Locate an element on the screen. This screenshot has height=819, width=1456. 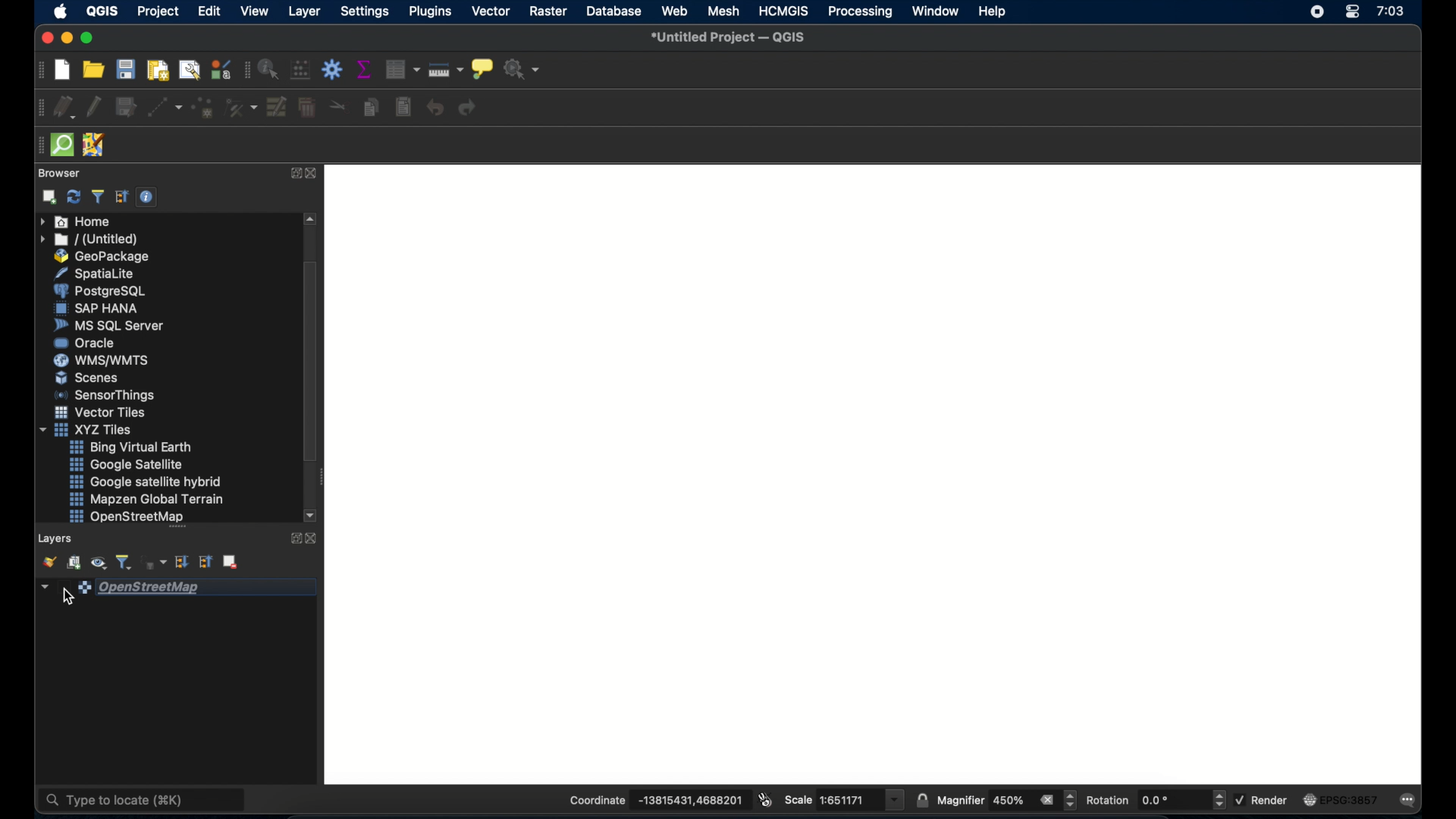
scroll box is located at coordinates (313, 363).